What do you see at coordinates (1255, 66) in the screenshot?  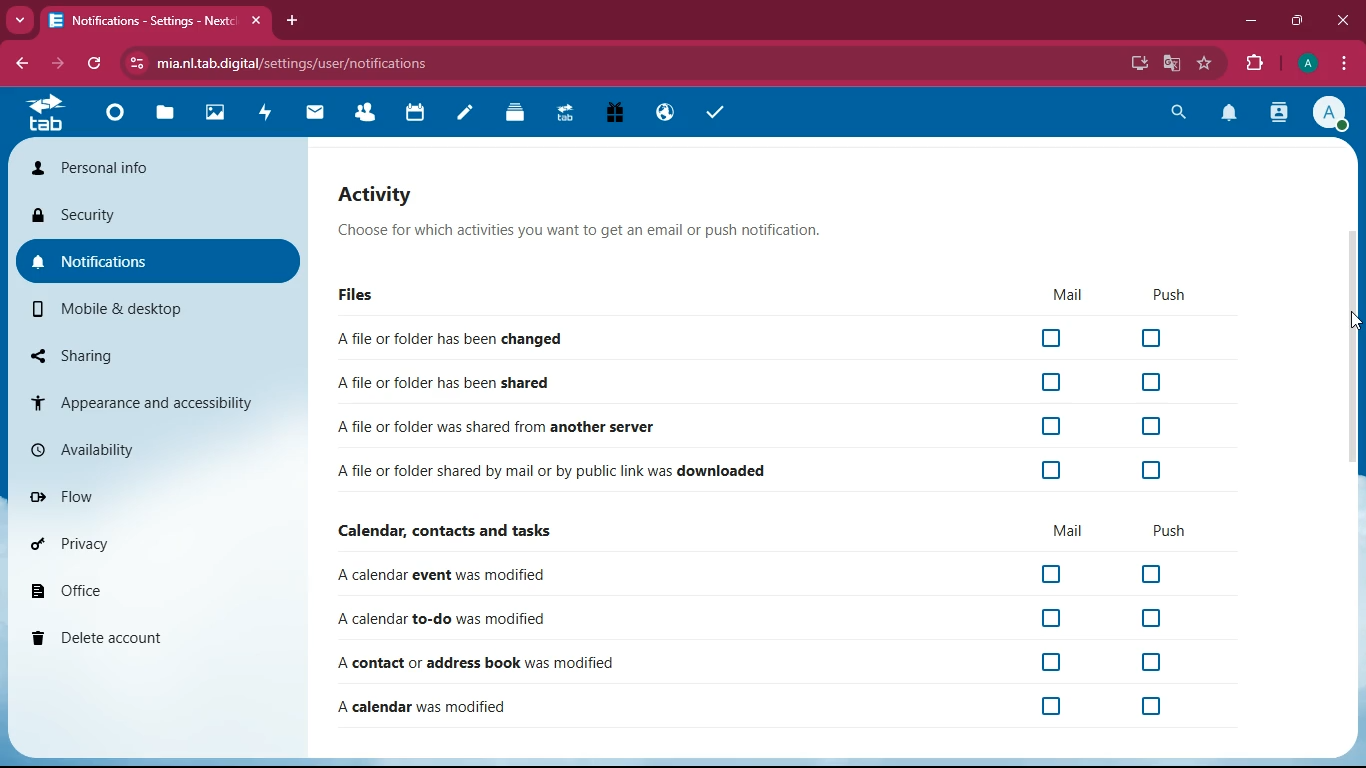 I see `extensions` at bounding box center [1255, 66].